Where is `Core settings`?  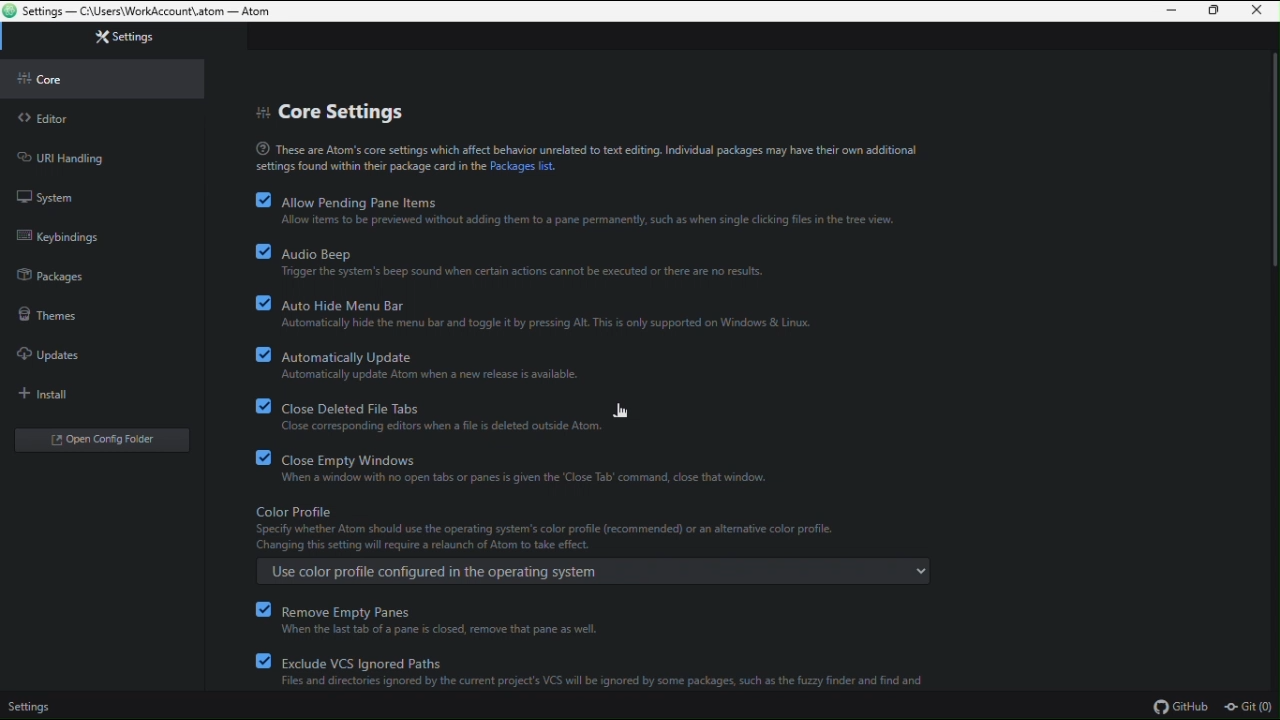
Core settings is located at coordinates (327, 112).